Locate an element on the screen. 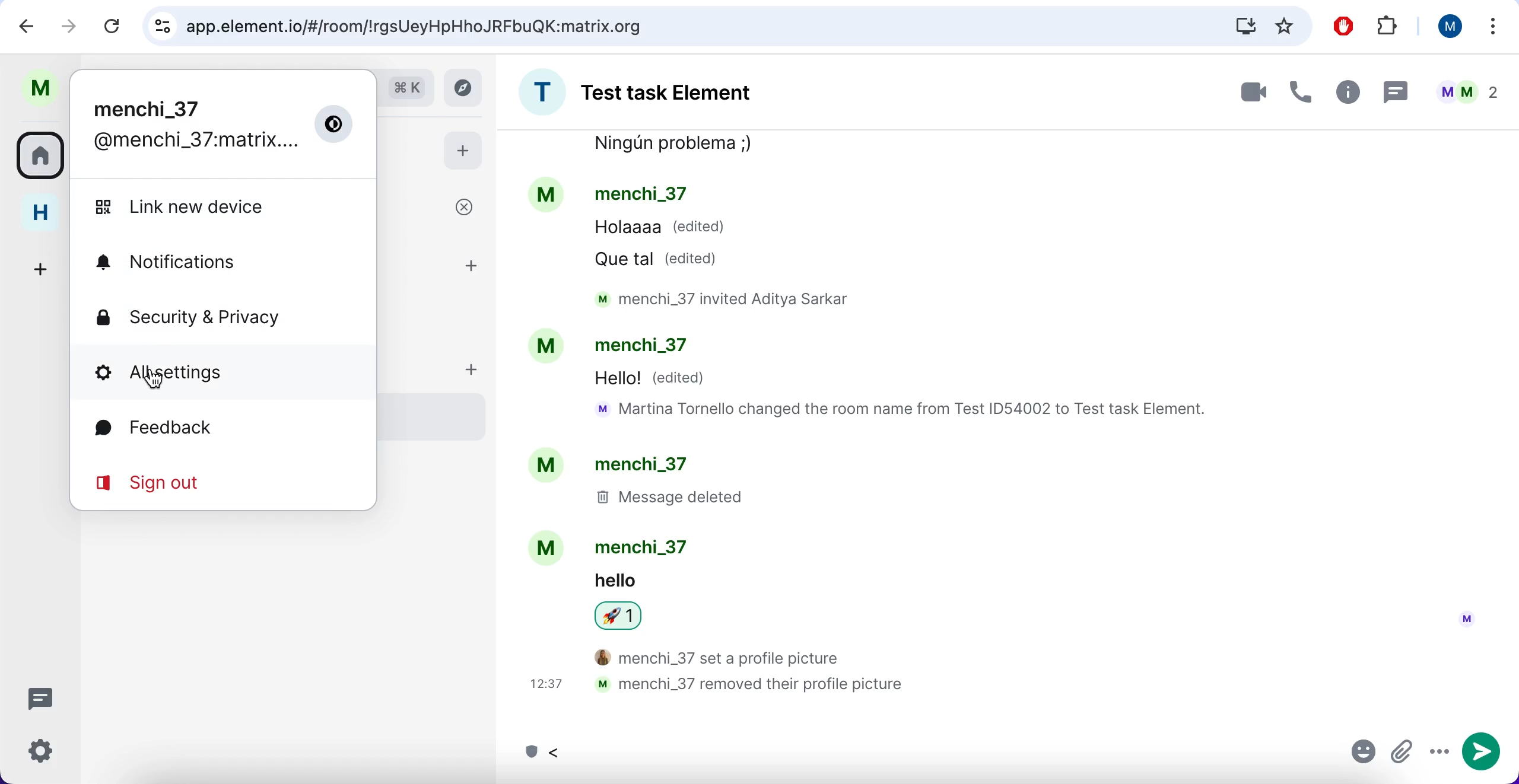 Image resolution: width=1519 pixels, height=784 pixels. add is located at coordinates (463, 154).